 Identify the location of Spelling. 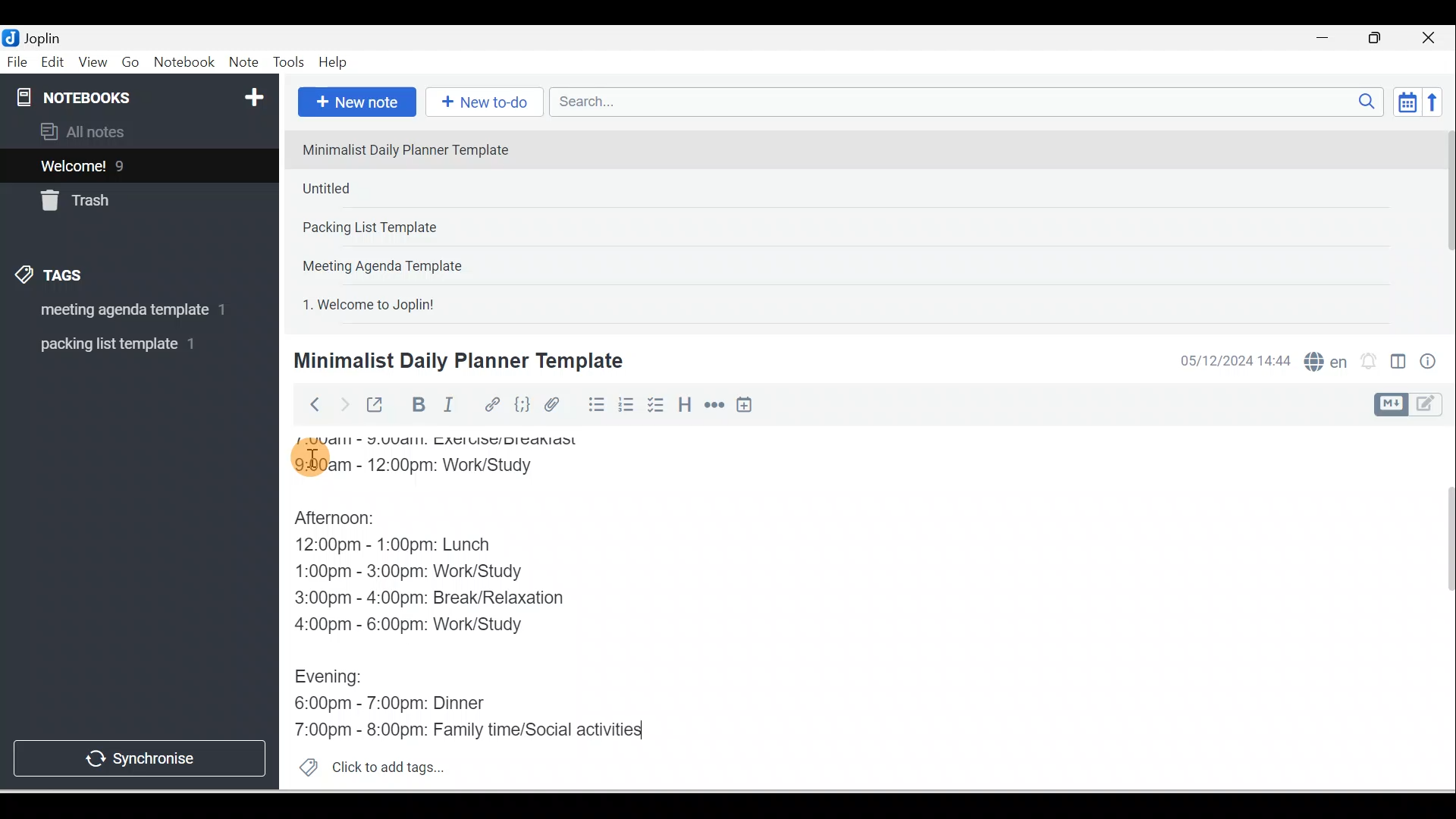
(1323, 359).